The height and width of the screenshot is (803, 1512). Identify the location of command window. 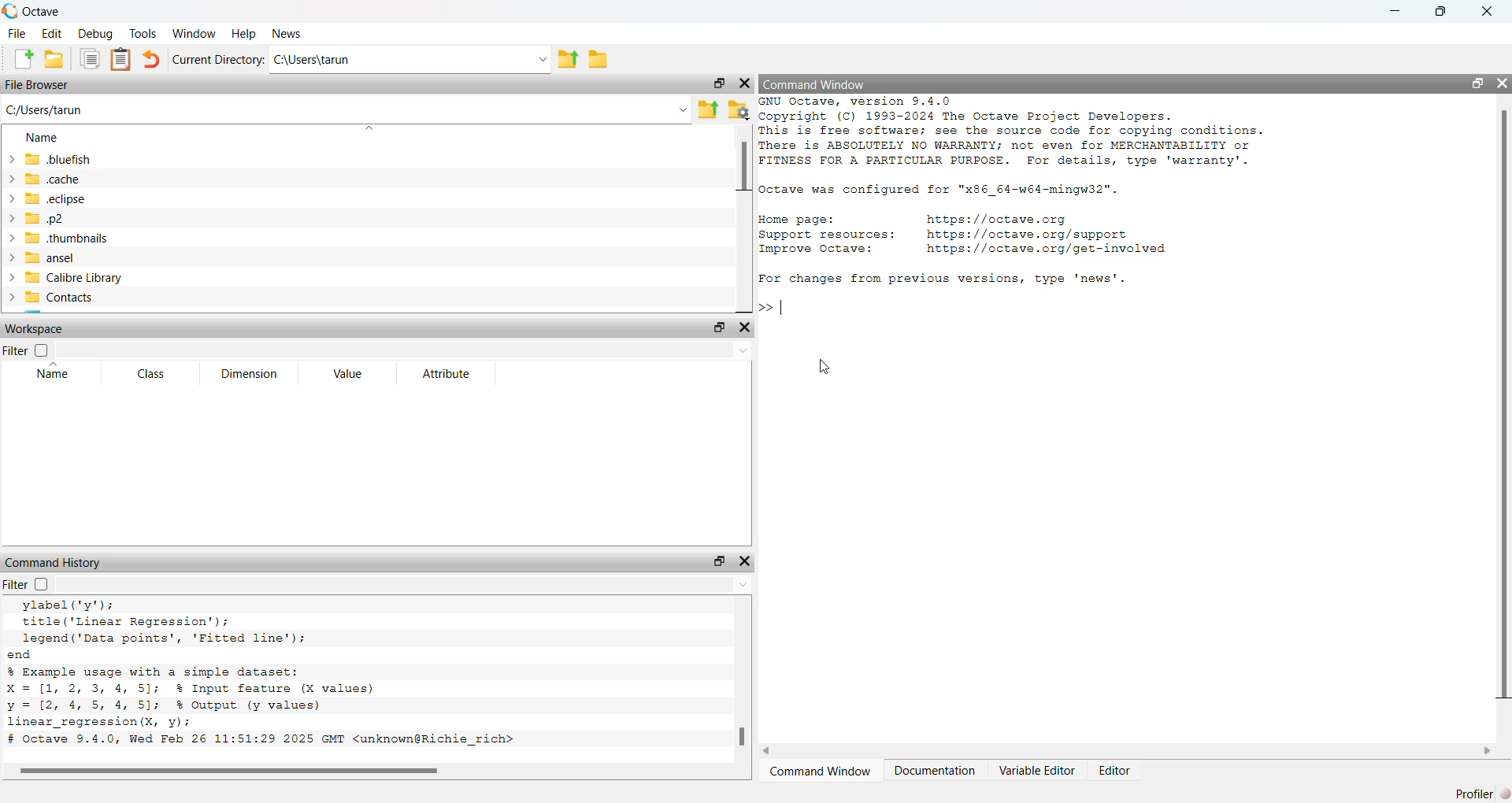
(817, 84).